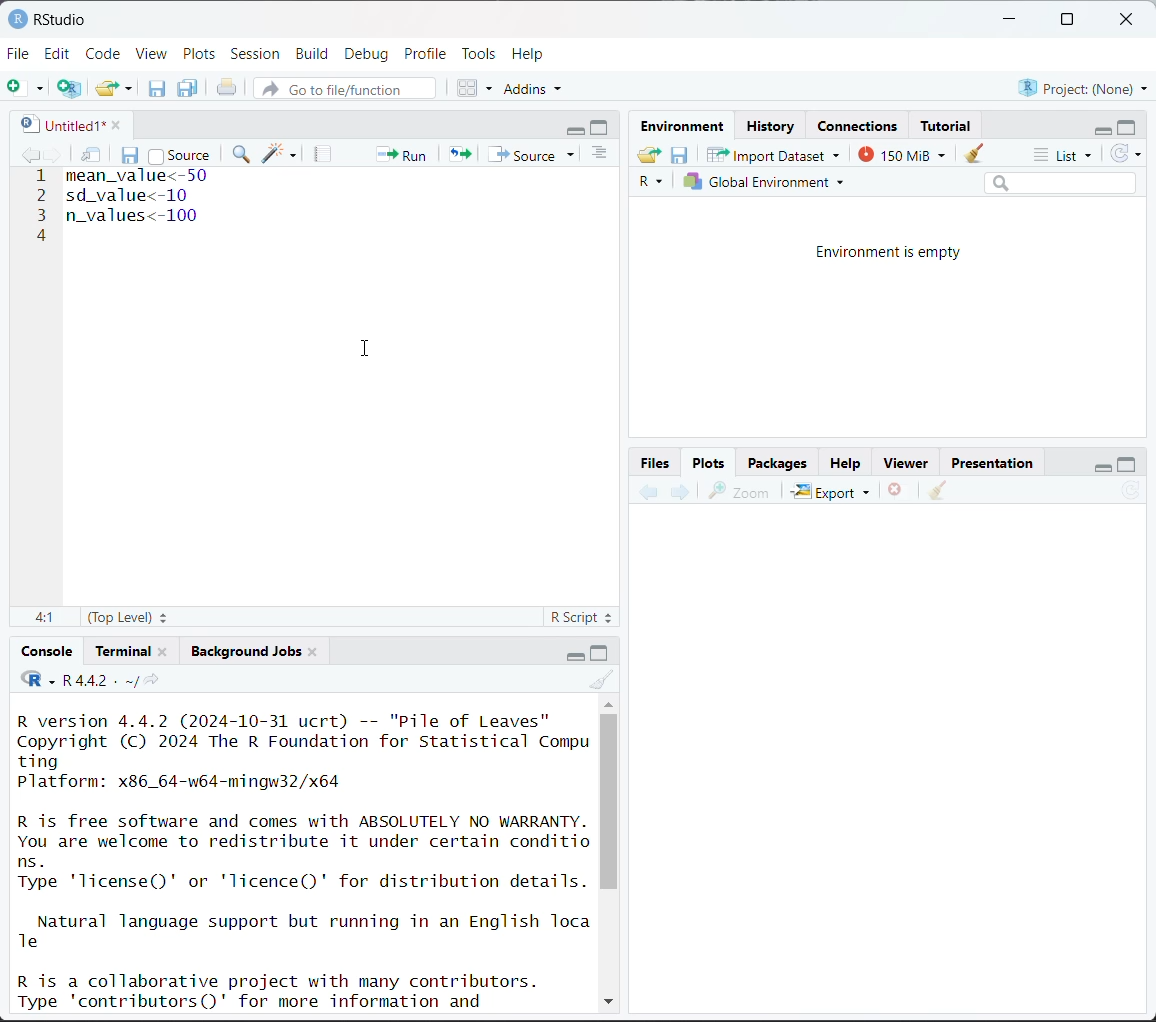 The width and height of the screenshot is (1156, 1022). What do you see at coordinates (535, 154) in the screenshot?
I see `source` at bounding box center [535, 154].